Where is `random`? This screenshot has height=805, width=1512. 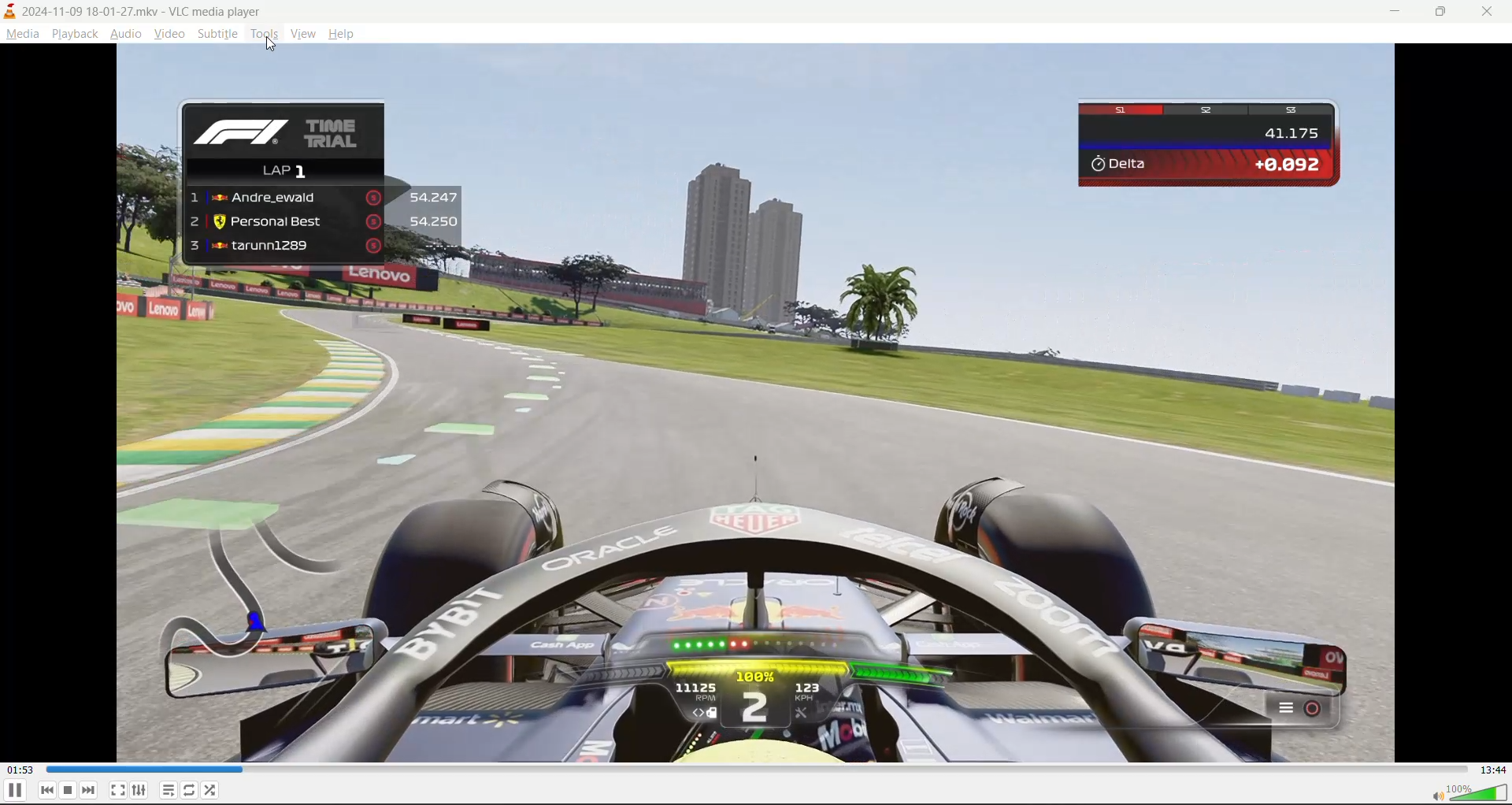 random is located at coordinates (211, 789).